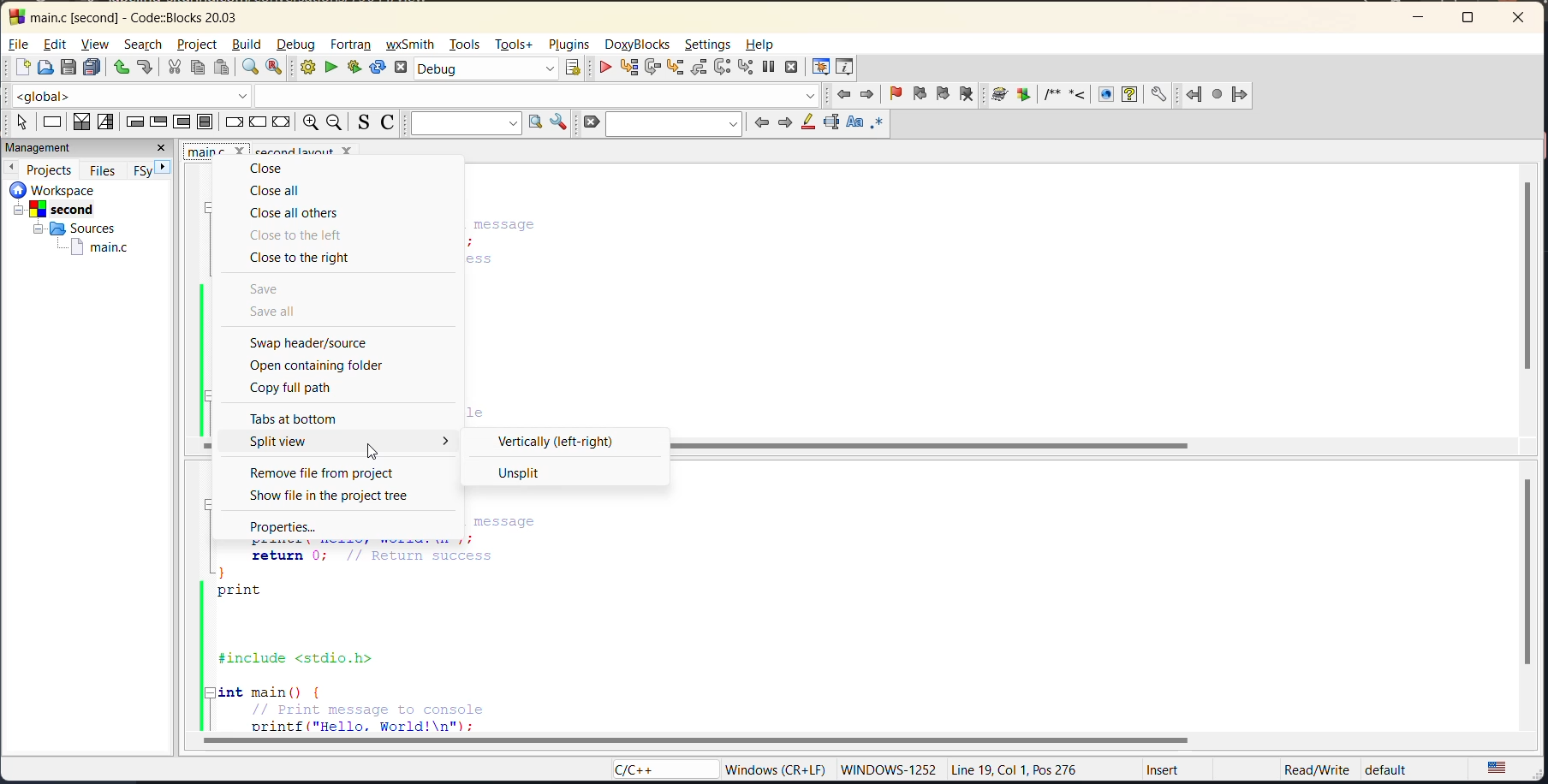  What do you see at coordinates (163, 166) in the screenshot?
I see `next` at bounding box center [163, 166].